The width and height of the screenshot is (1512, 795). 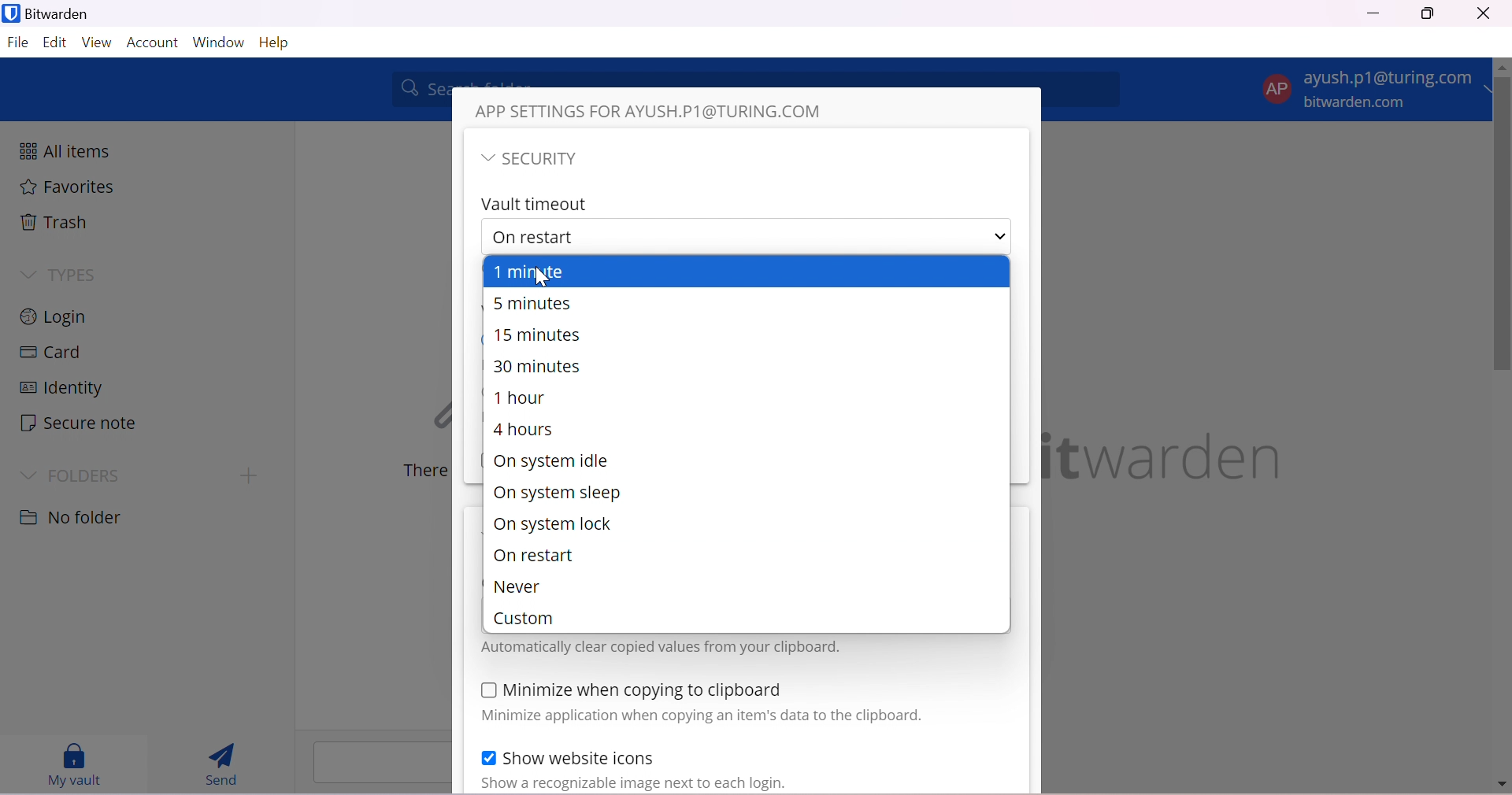 What do you see at coordinates (54, 44) in the screenshot?
I see `Edit` at bounding box center [54, 44].